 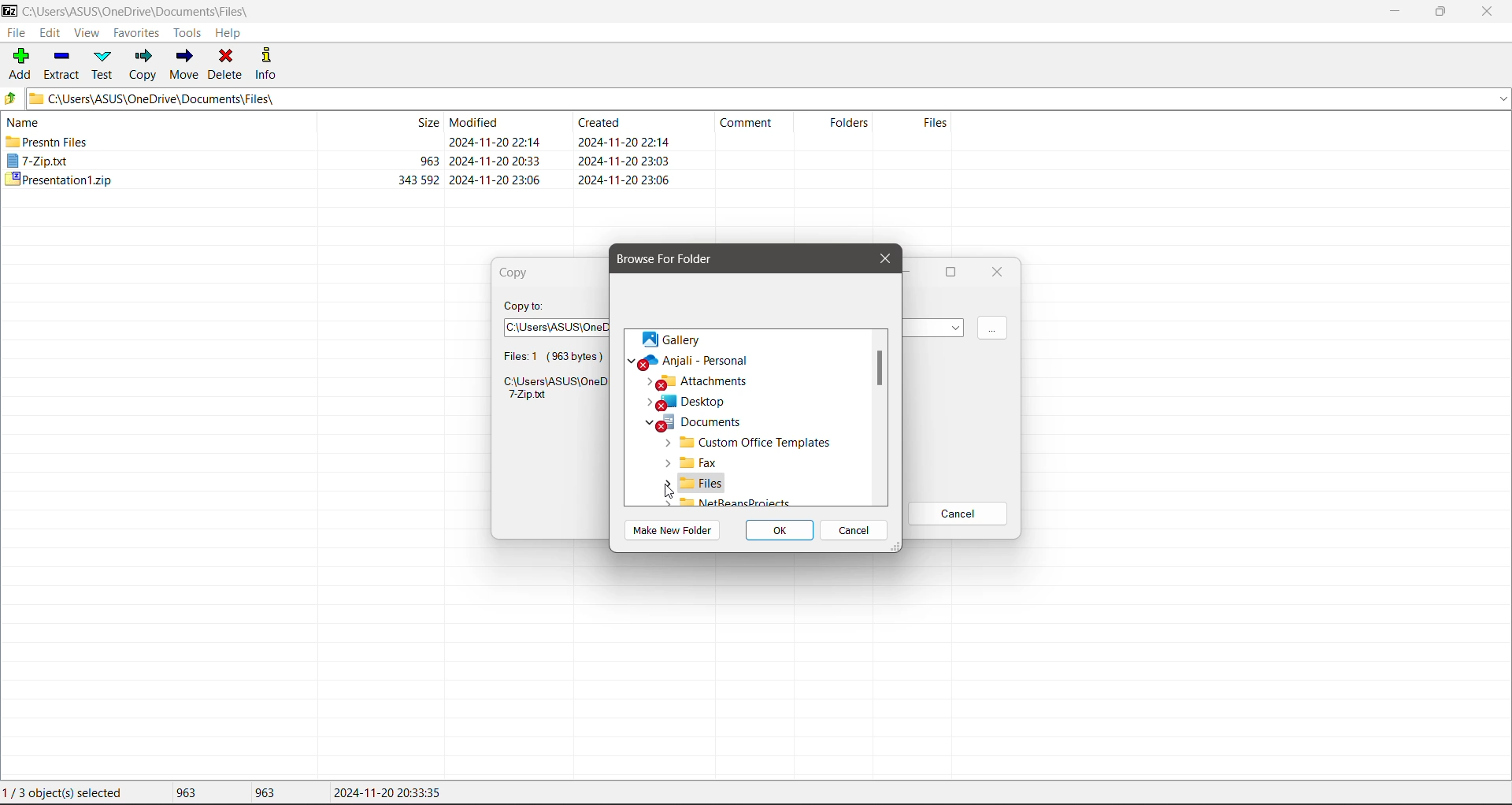 What do you see at coordinates (1442, 12) in the screenshot?
I see `Restore Down` at bounding box center [1442, 12].